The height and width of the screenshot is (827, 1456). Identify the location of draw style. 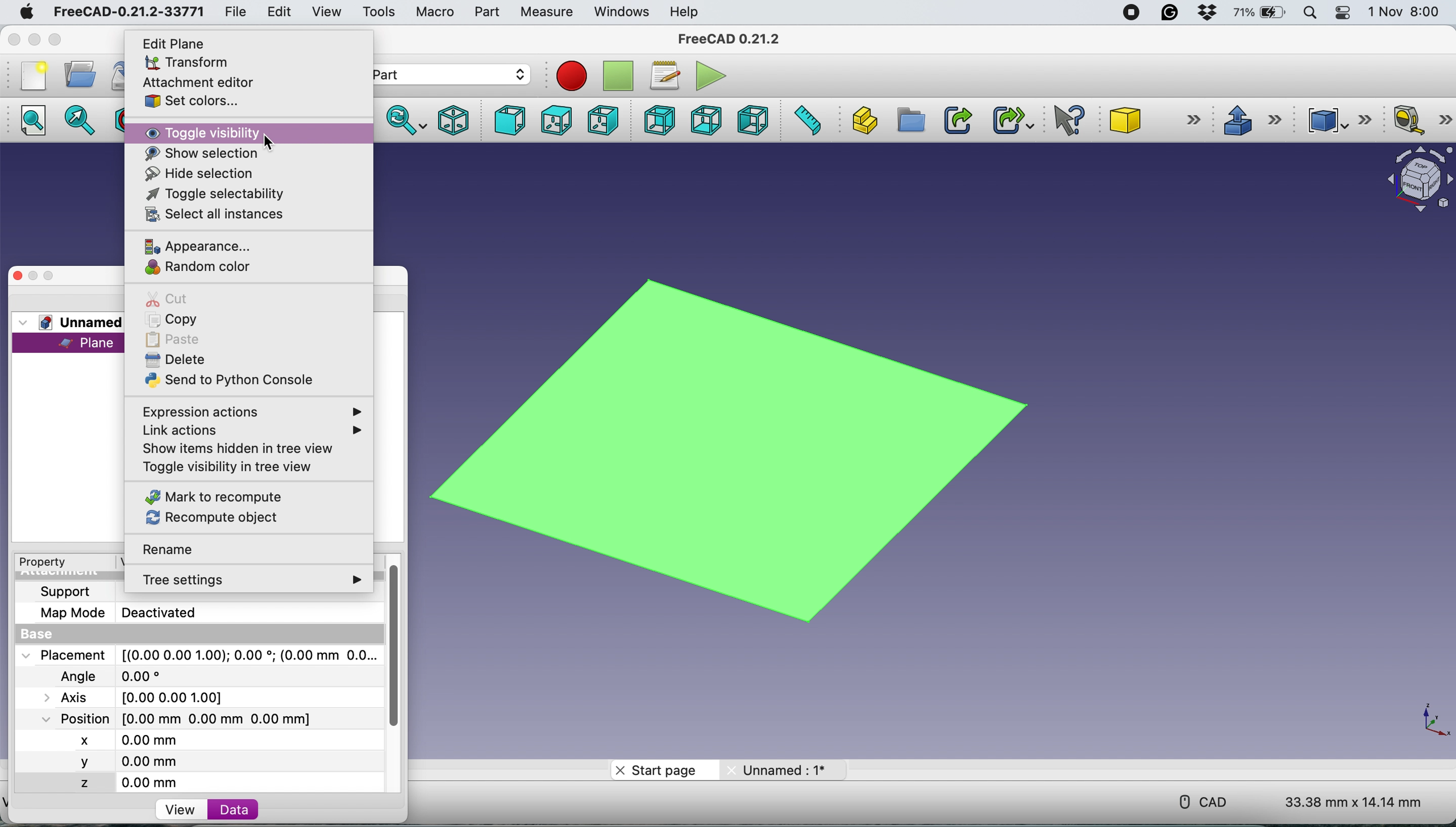
(116, 122).